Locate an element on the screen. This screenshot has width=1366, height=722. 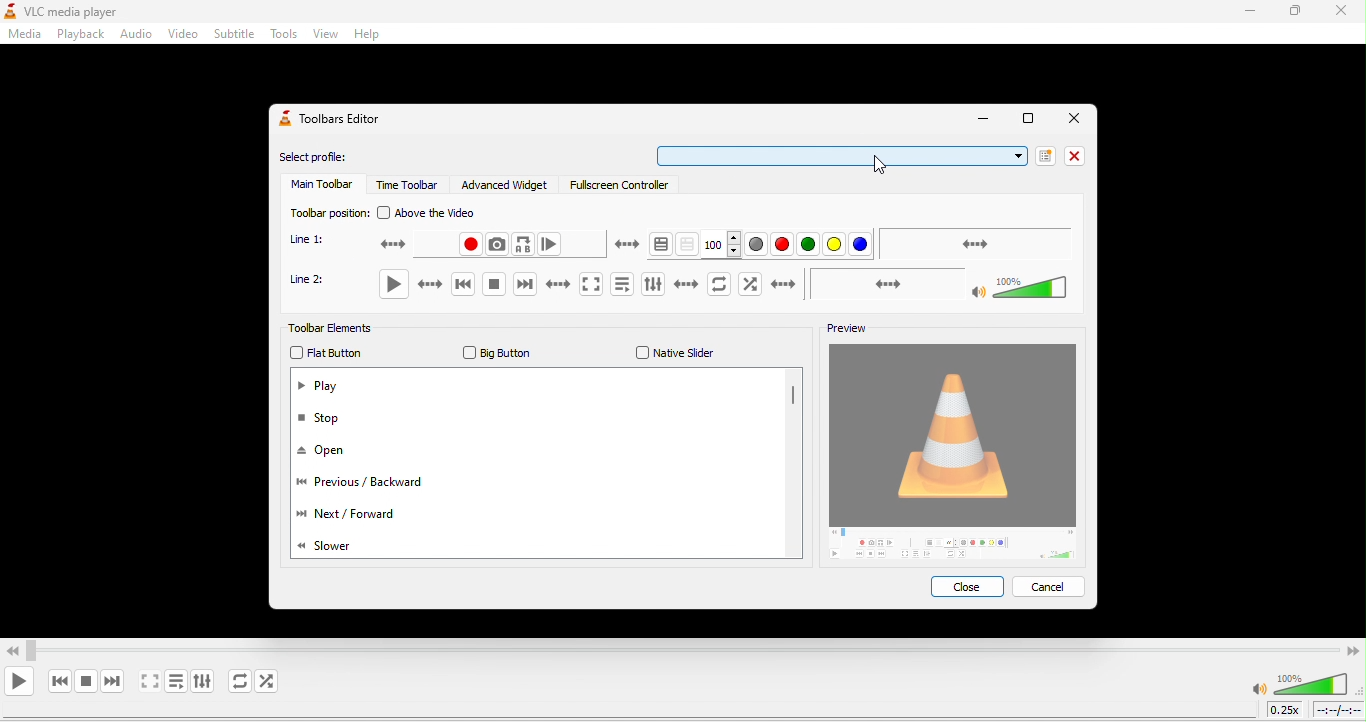
100 is located at coordinates (723, 244).